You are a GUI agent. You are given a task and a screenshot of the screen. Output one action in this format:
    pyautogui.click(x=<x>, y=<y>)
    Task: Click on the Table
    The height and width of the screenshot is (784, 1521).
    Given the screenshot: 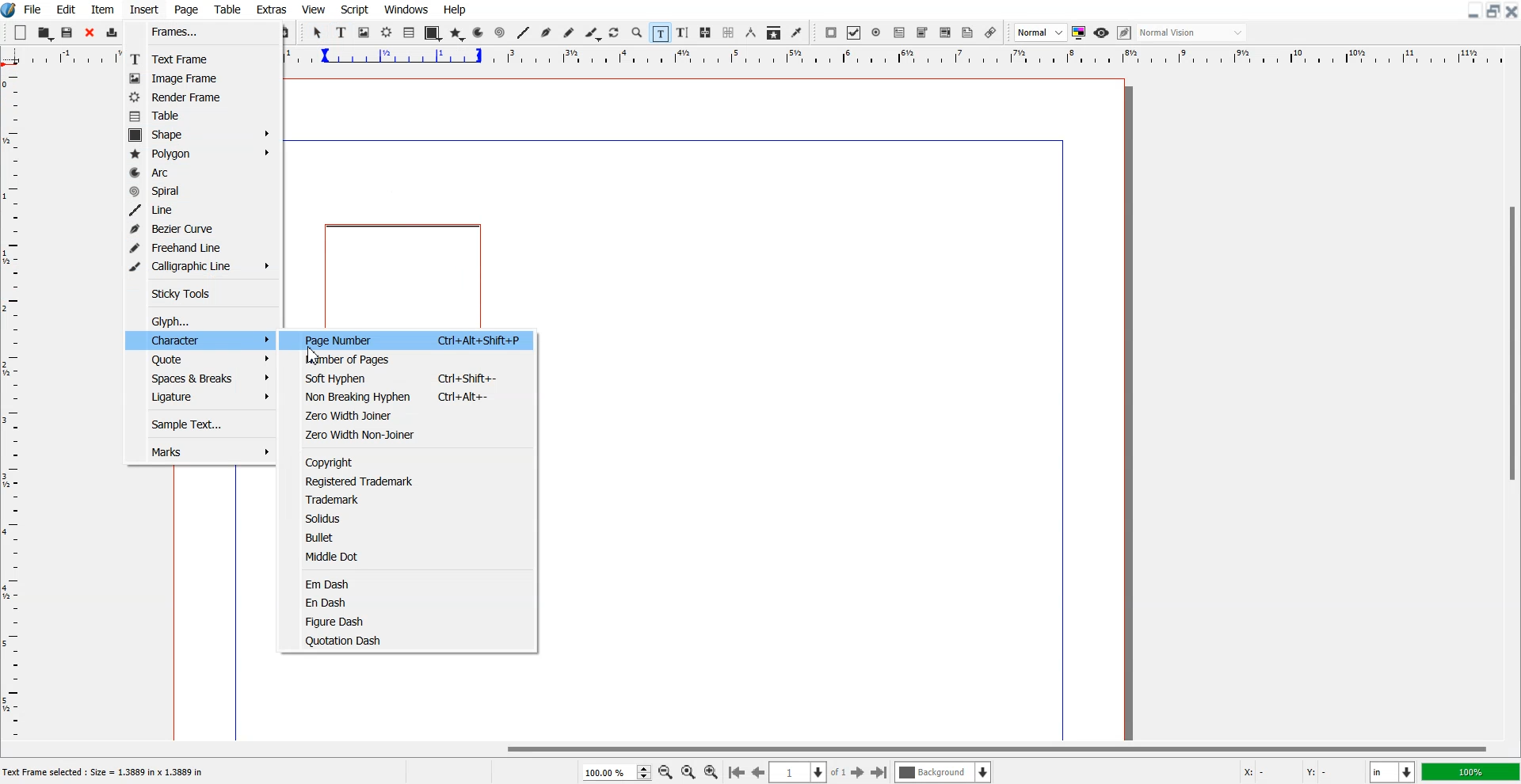 What is the action you would take?
    pyautogui.click(x=410, y=32)
    